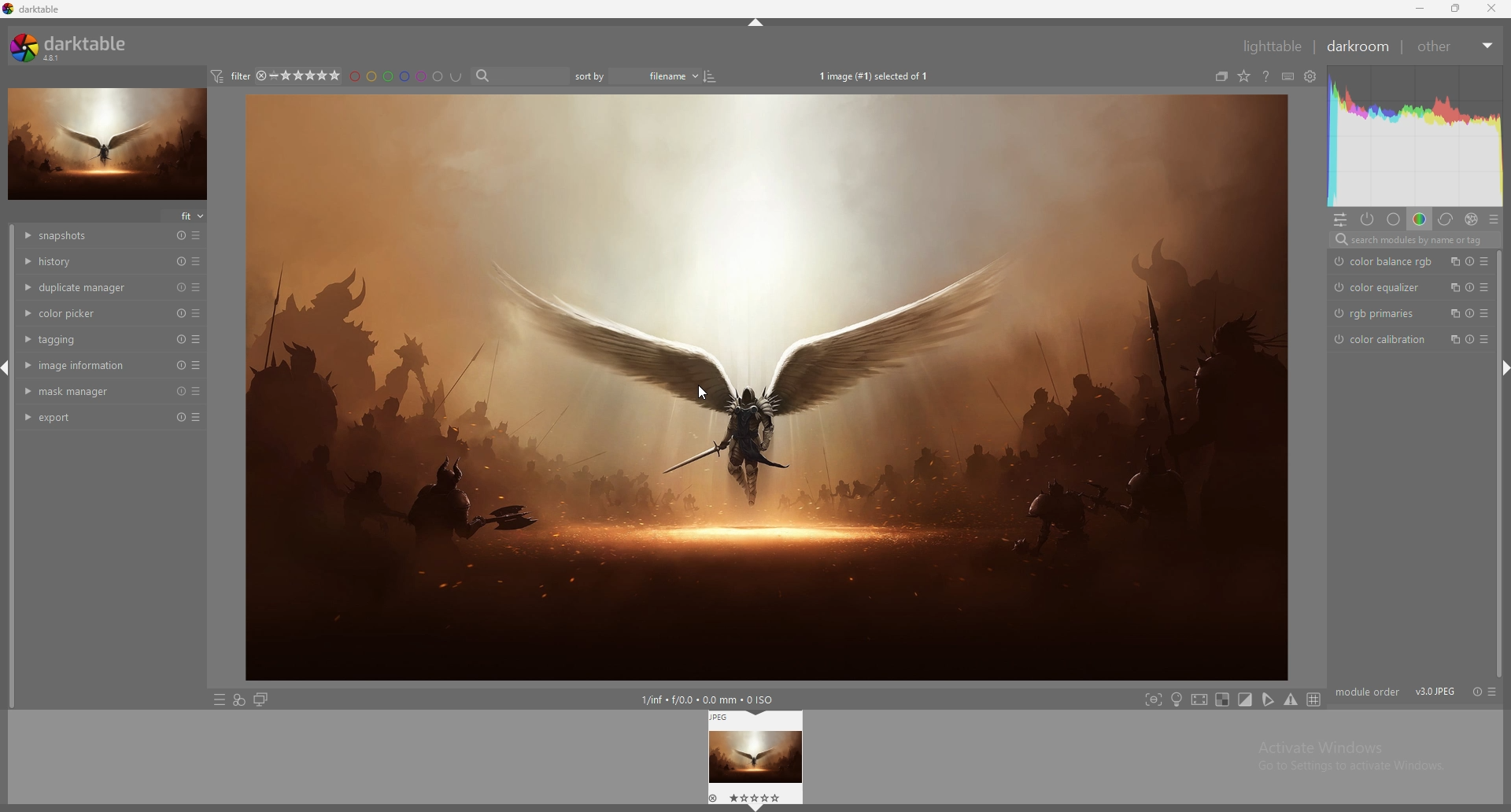  Describe the element at coordinates (1489, 261) in the screenshot. I see `presets` at that location.